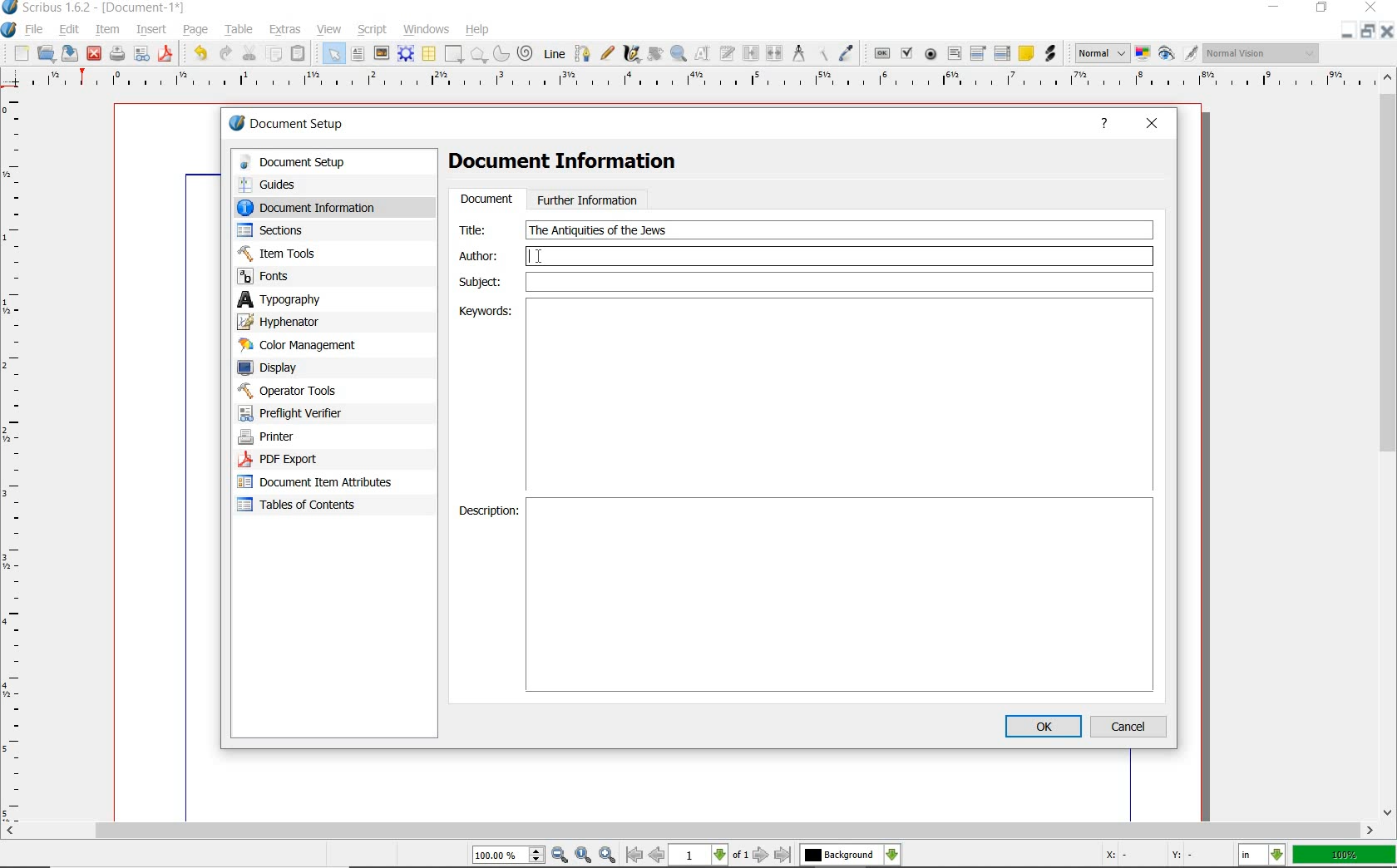 This screenshot has width=1397, height=868. Describe the element at coordinates (427, 30) in the screenshot. I see `windows` at that location.